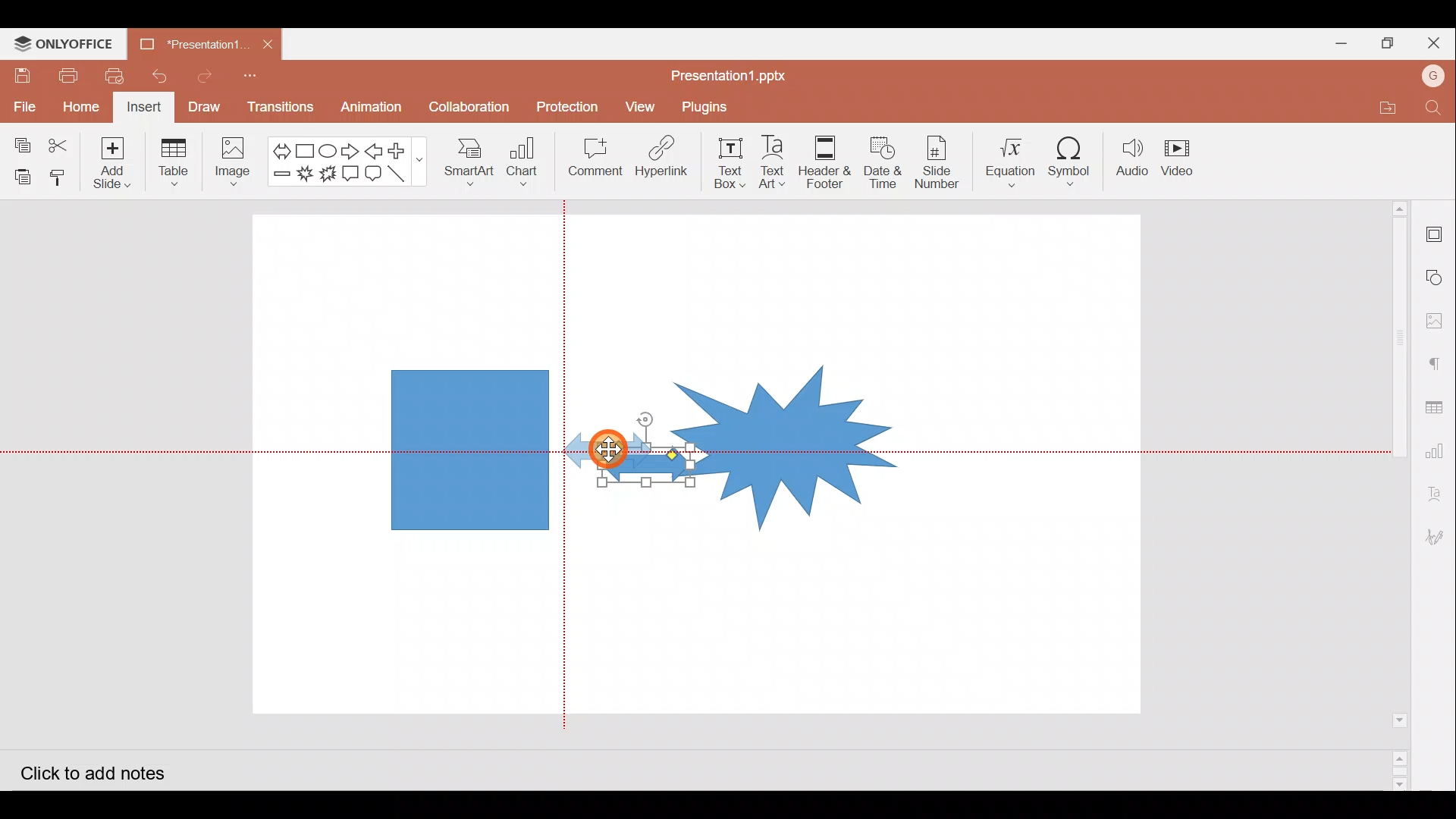  Describe the element at coordinates (403, 149) in the screenshot. I see `Plus` at that location.